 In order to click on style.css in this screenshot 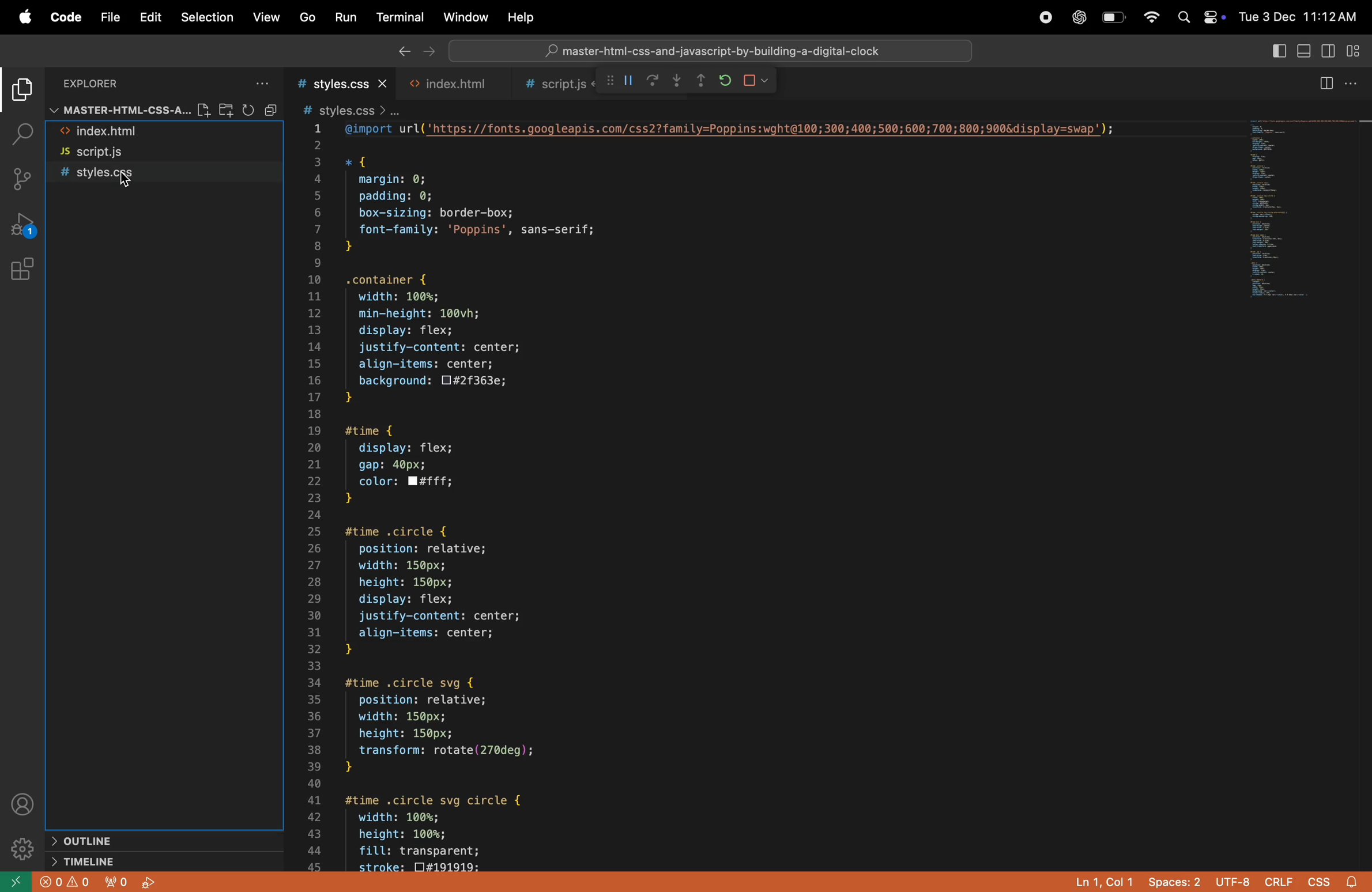, I will do `click(342, 84)`.